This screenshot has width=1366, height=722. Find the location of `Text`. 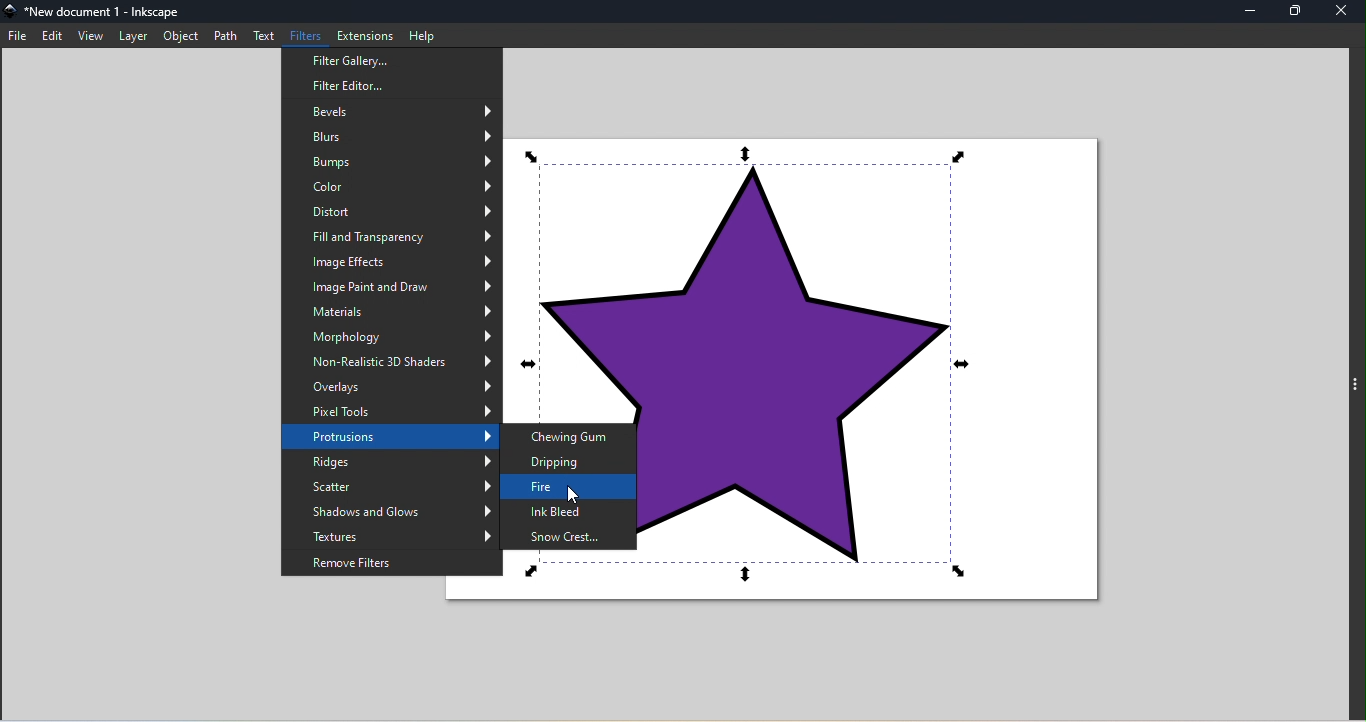

Text is located at coordinates (263, 35).